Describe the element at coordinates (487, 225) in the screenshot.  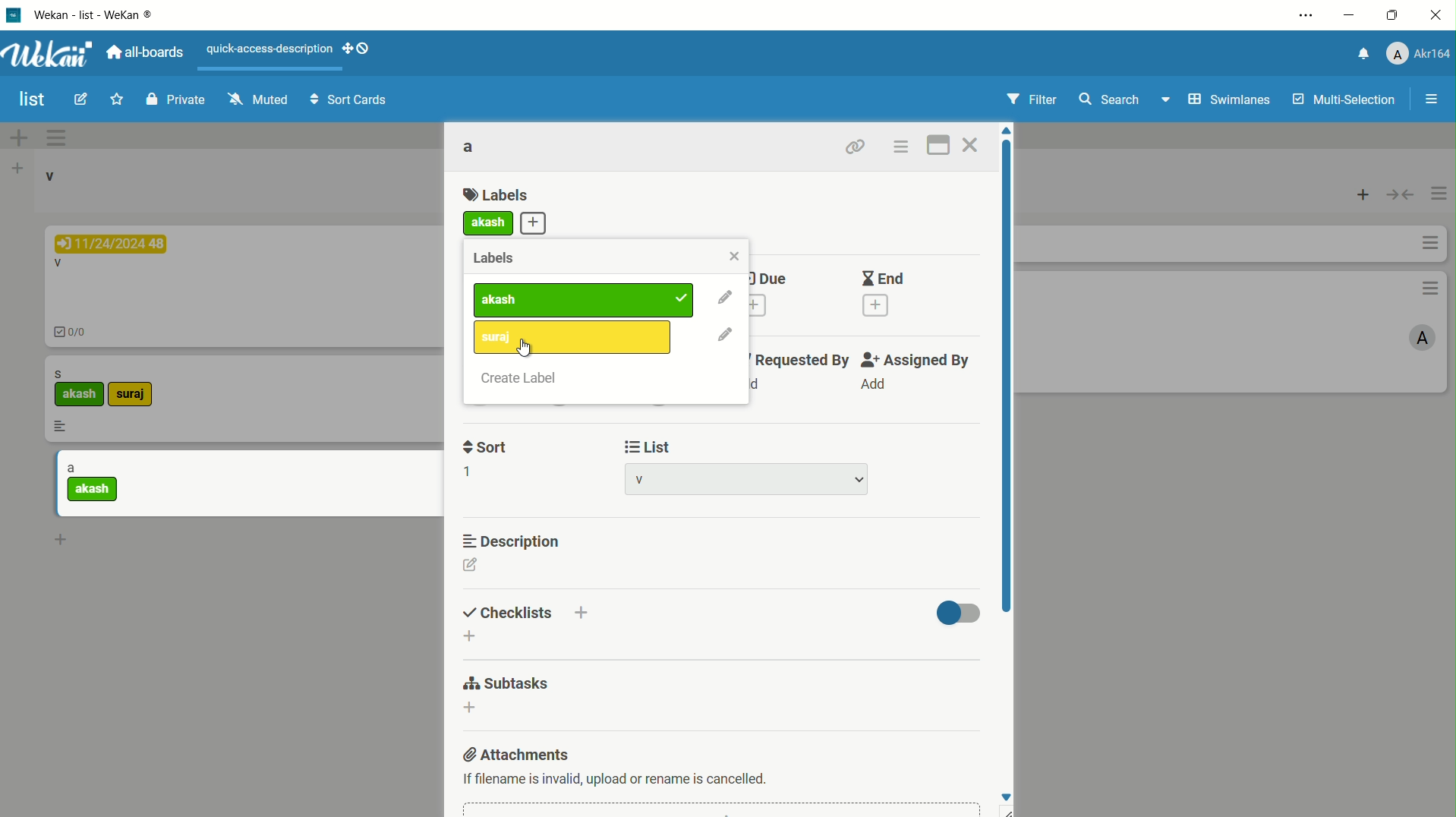
I see `akash` at that location.